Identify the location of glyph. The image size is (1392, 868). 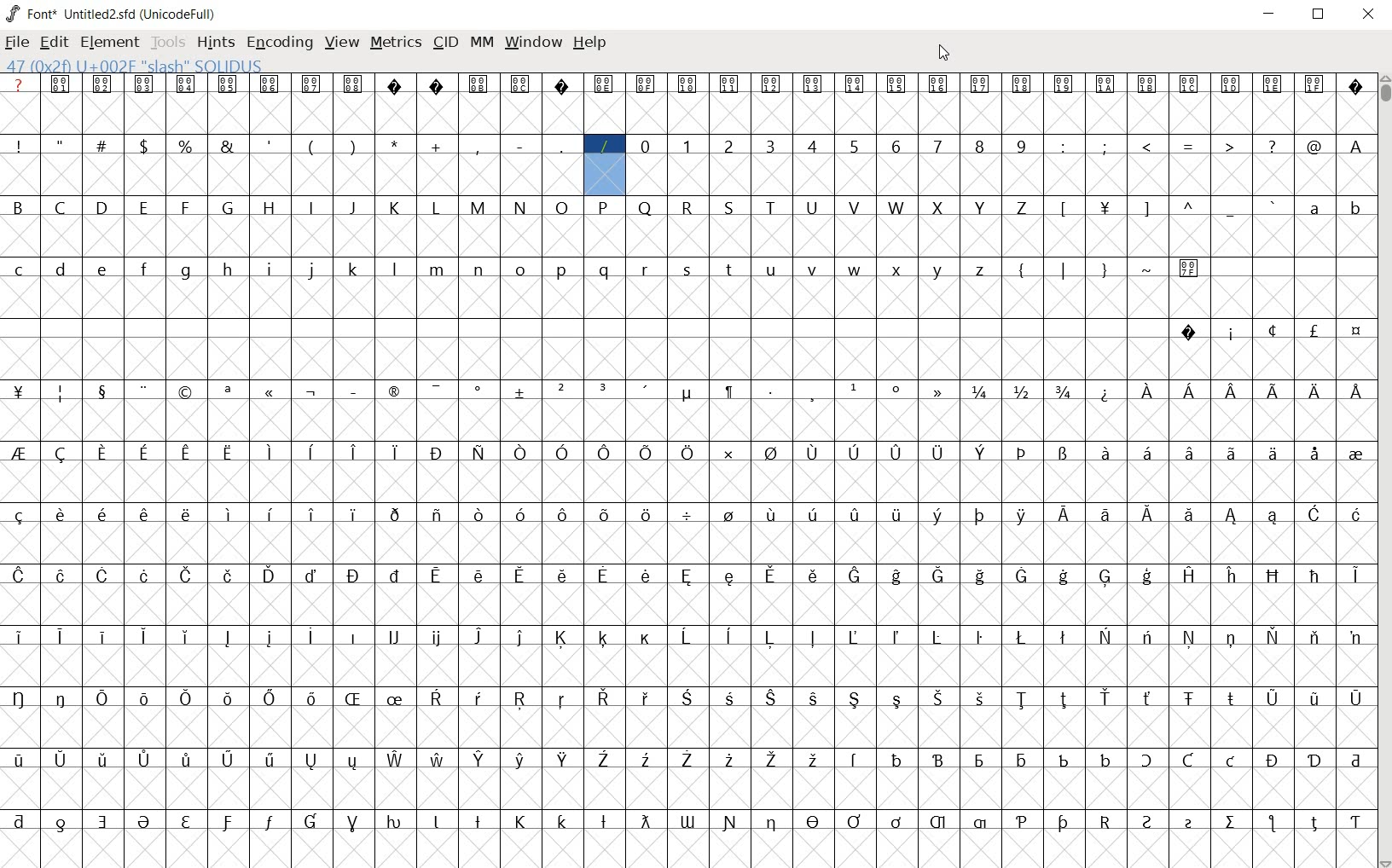
(352, 146).